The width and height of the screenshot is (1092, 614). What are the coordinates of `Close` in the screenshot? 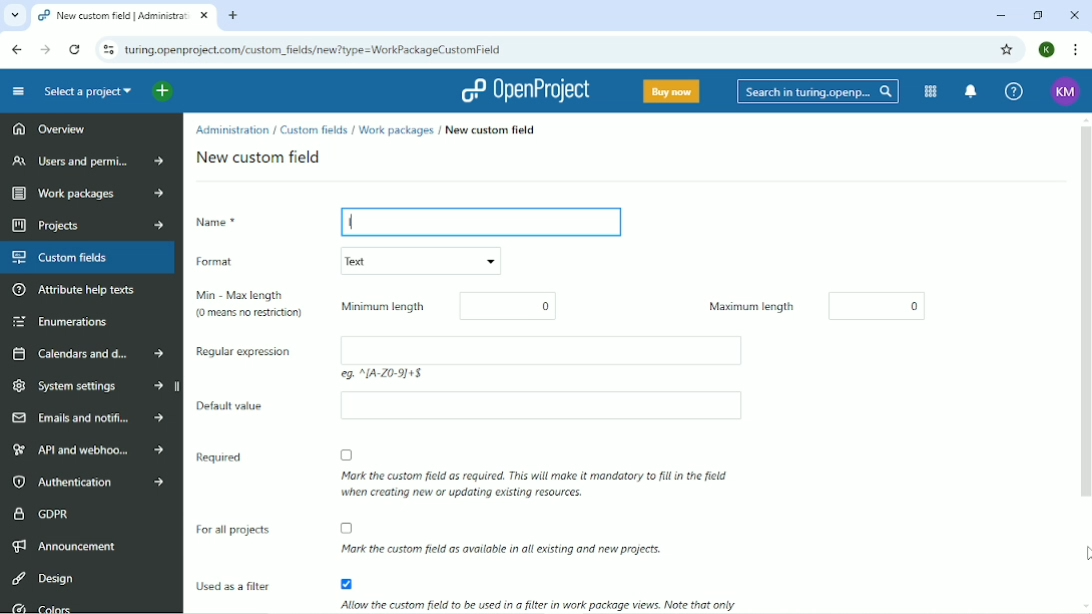 It's located at (1075, 15).